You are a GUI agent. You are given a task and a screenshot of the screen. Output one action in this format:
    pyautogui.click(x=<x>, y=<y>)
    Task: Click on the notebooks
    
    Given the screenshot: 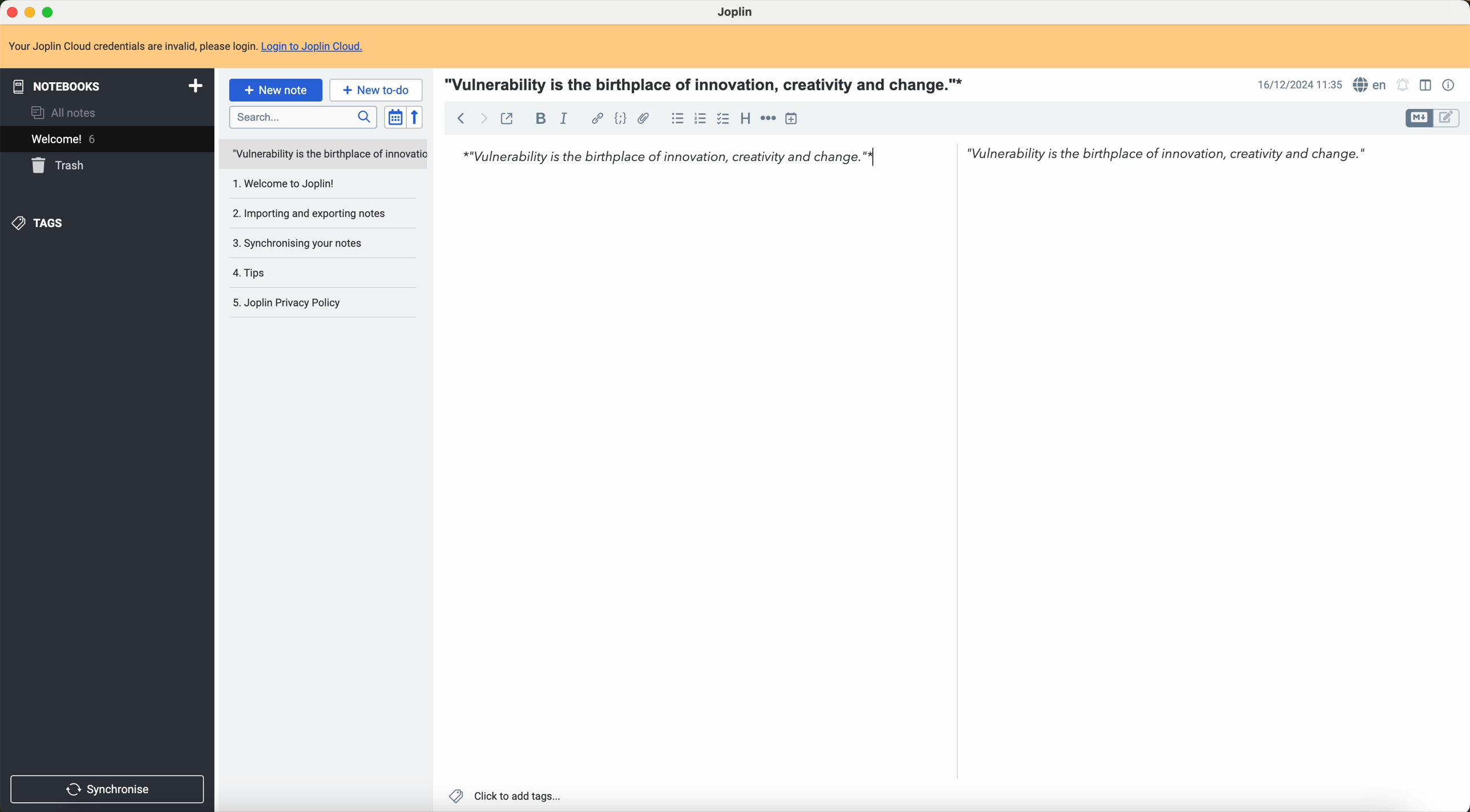 What is the action you would take?
    pyautogui.click(x=105, y=85)
    